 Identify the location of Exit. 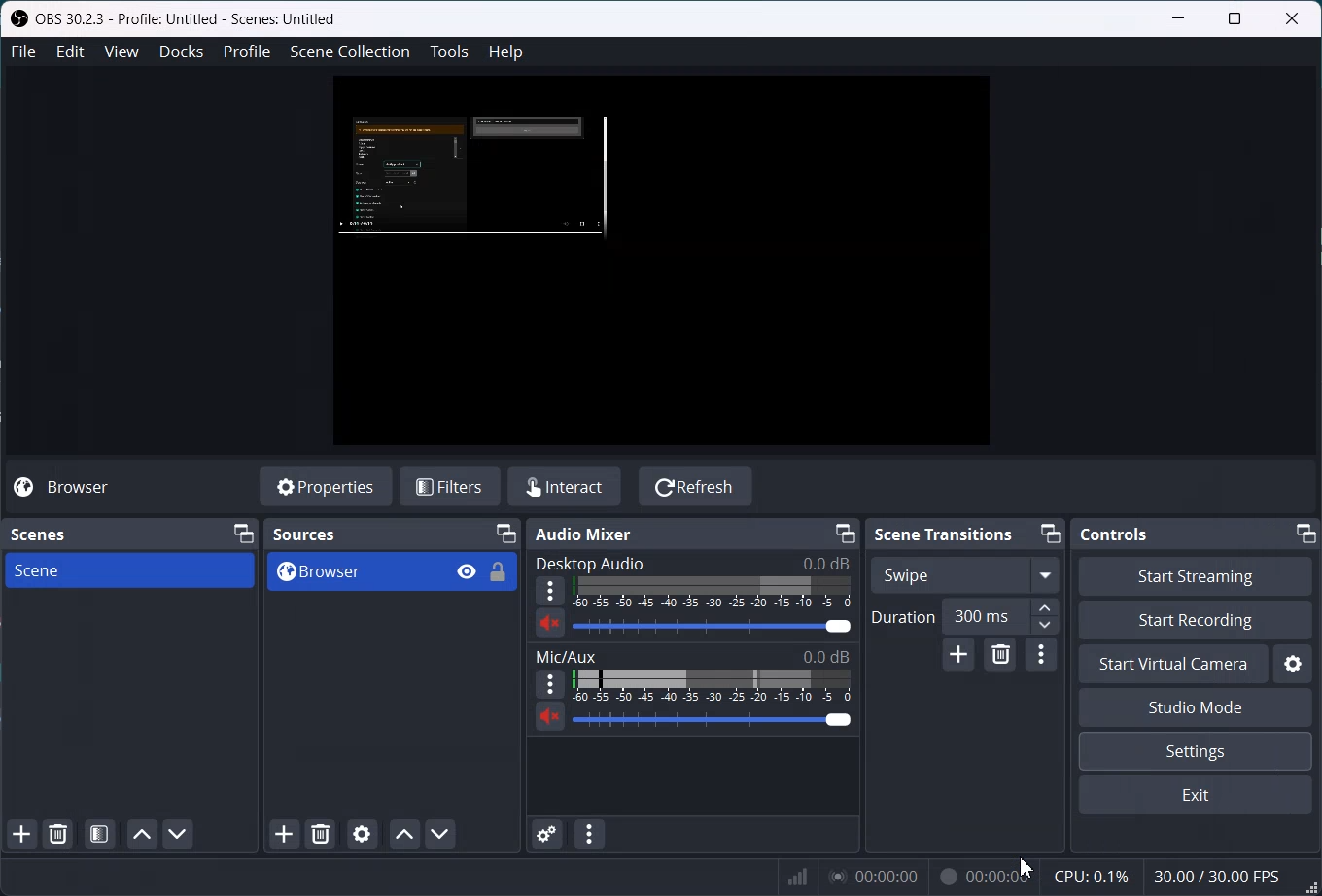
(1197, 794).